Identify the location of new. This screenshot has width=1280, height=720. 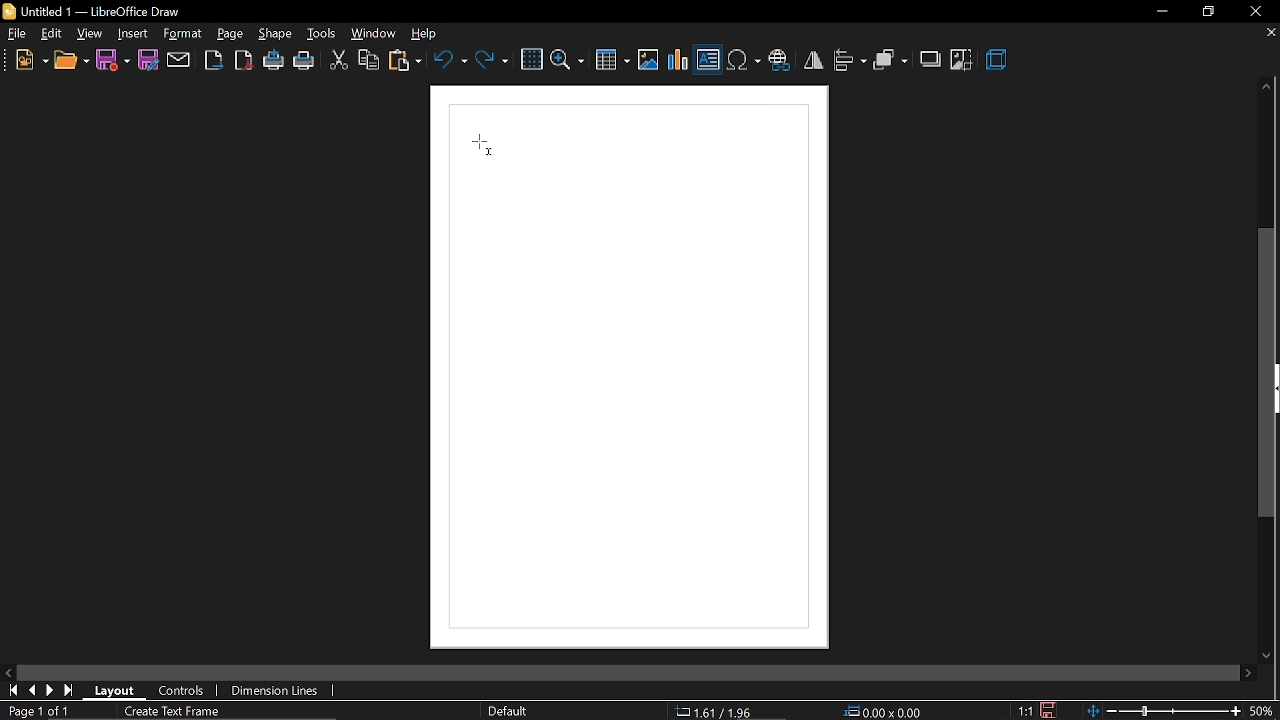
(31, 62).